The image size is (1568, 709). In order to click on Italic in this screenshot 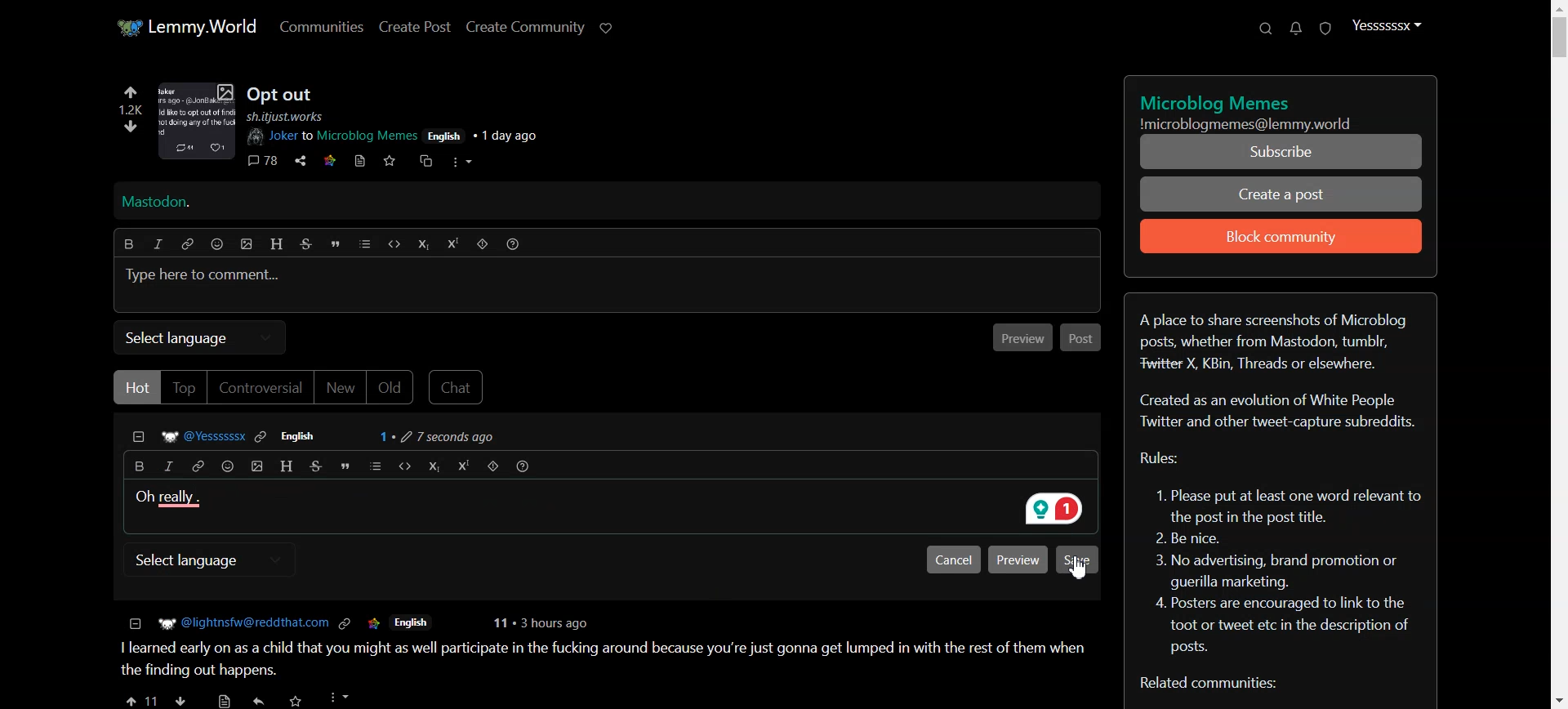, I will do `click(168, 467)`.